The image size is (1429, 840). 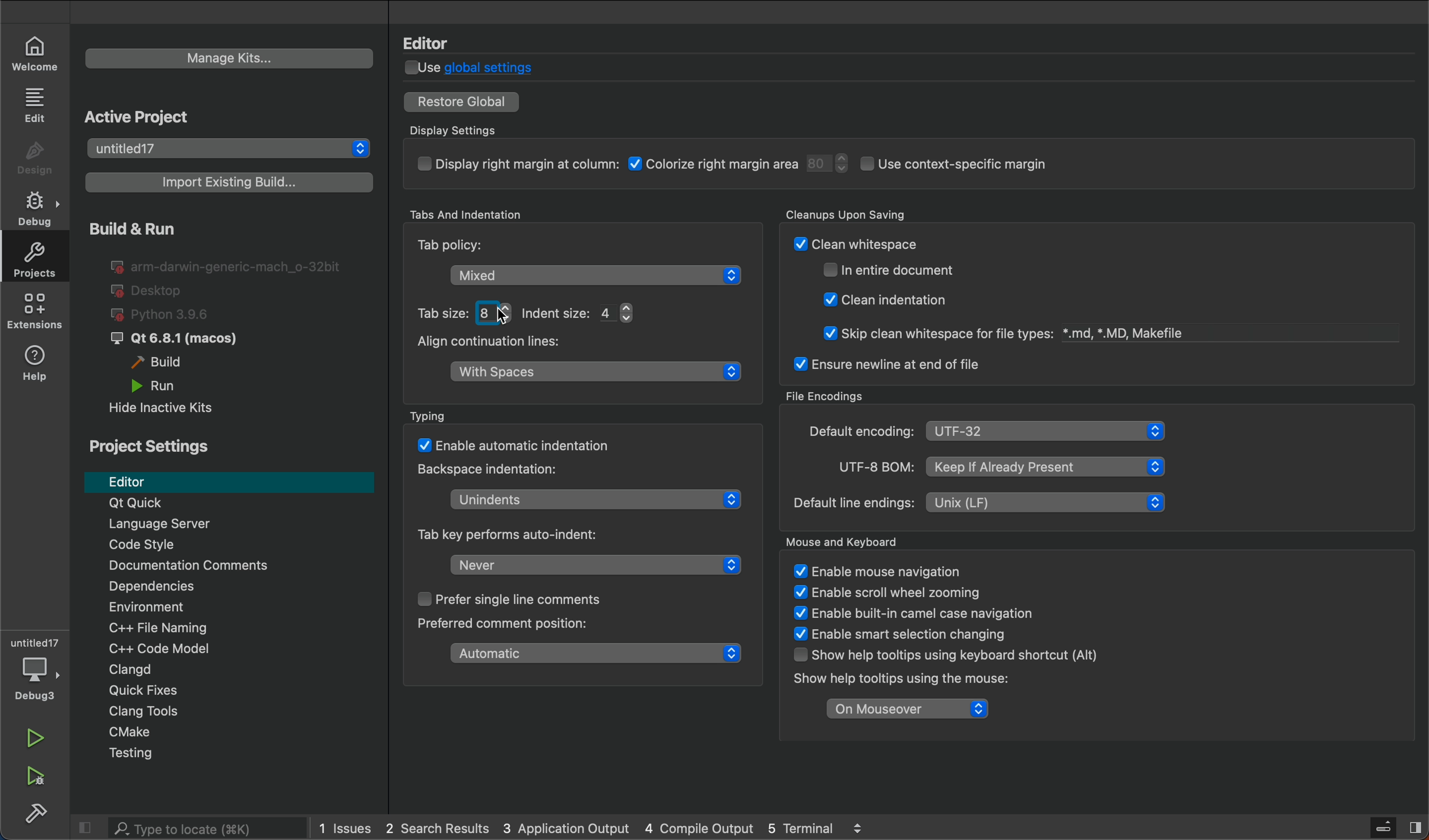 What do you see at coordinates (238, 712) in the screenshot?
I see `Clang tools` at bounding box center [238, 712].